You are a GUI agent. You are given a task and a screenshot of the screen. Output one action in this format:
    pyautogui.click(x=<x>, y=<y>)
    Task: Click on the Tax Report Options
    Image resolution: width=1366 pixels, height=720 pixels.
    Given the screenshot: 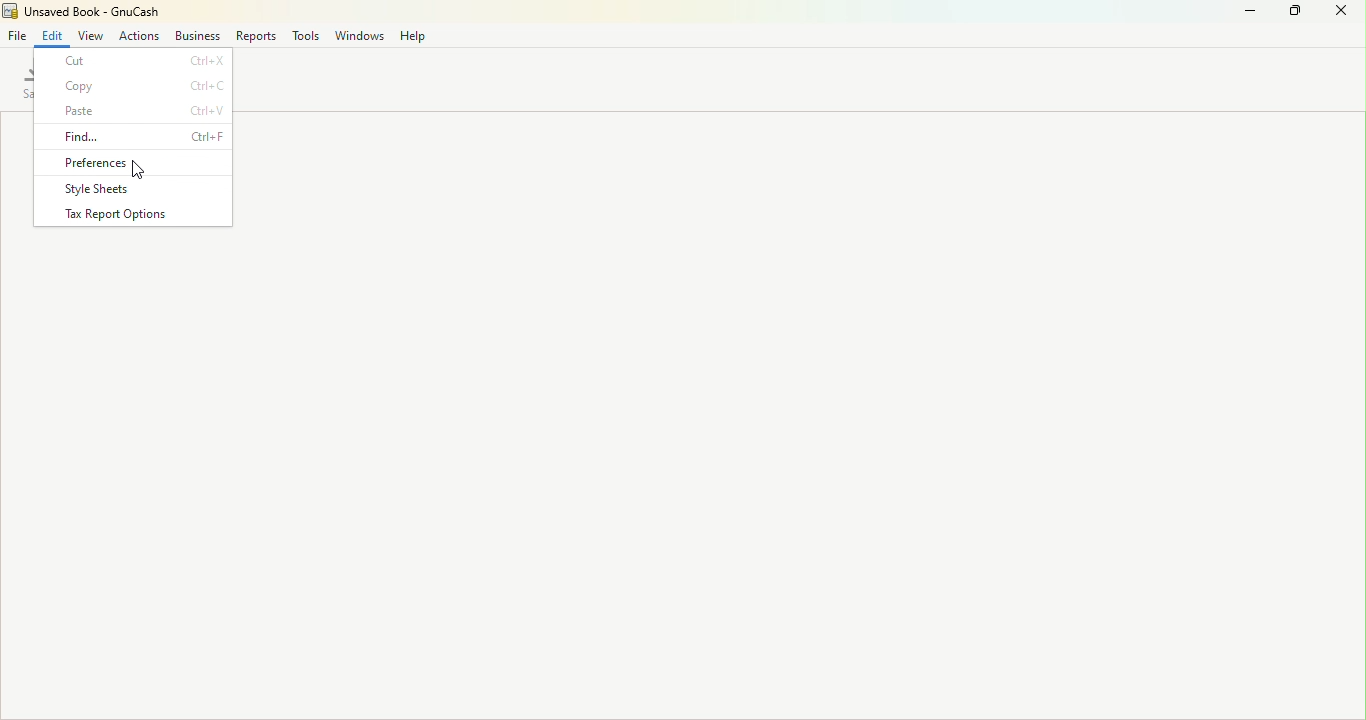 What is the action you would take?
    pyautogui.click(x=134, y=217)
    